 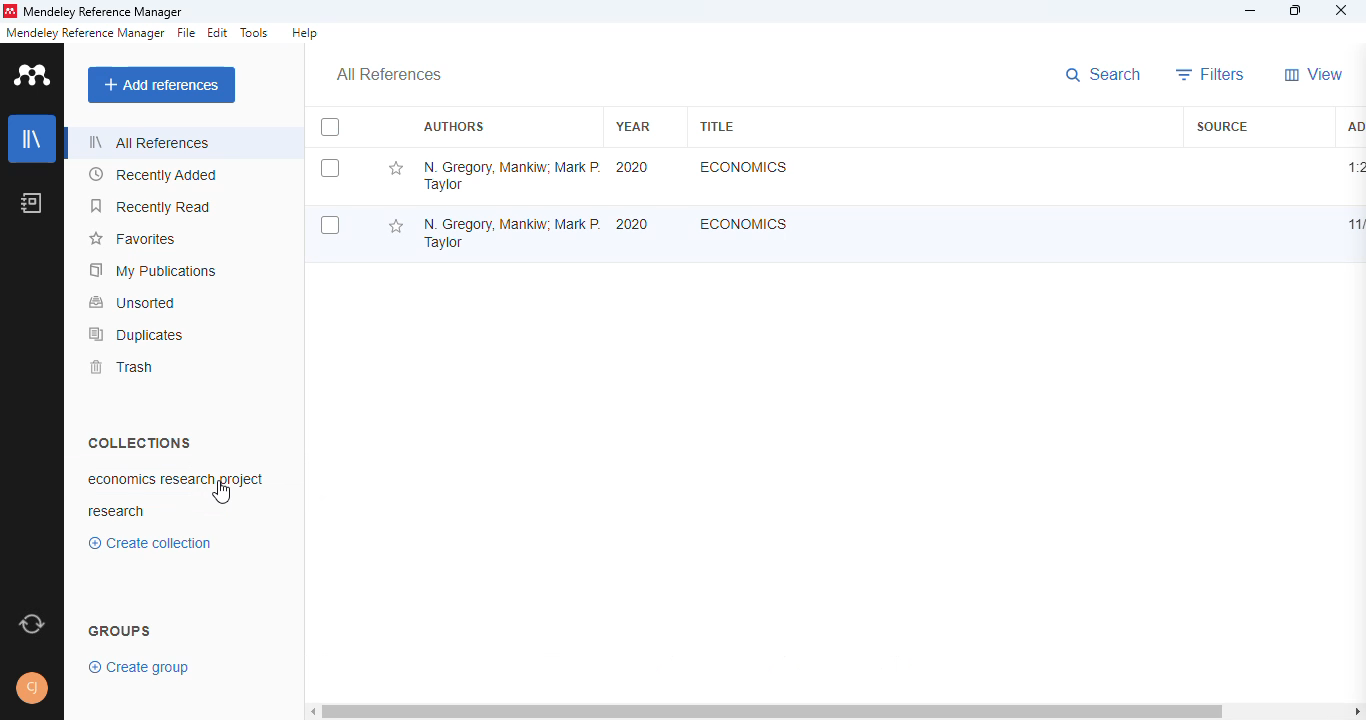 What do you see at coordinates (716, 126) in the screenshot?
I see `title` at bounding box center [716, 126].